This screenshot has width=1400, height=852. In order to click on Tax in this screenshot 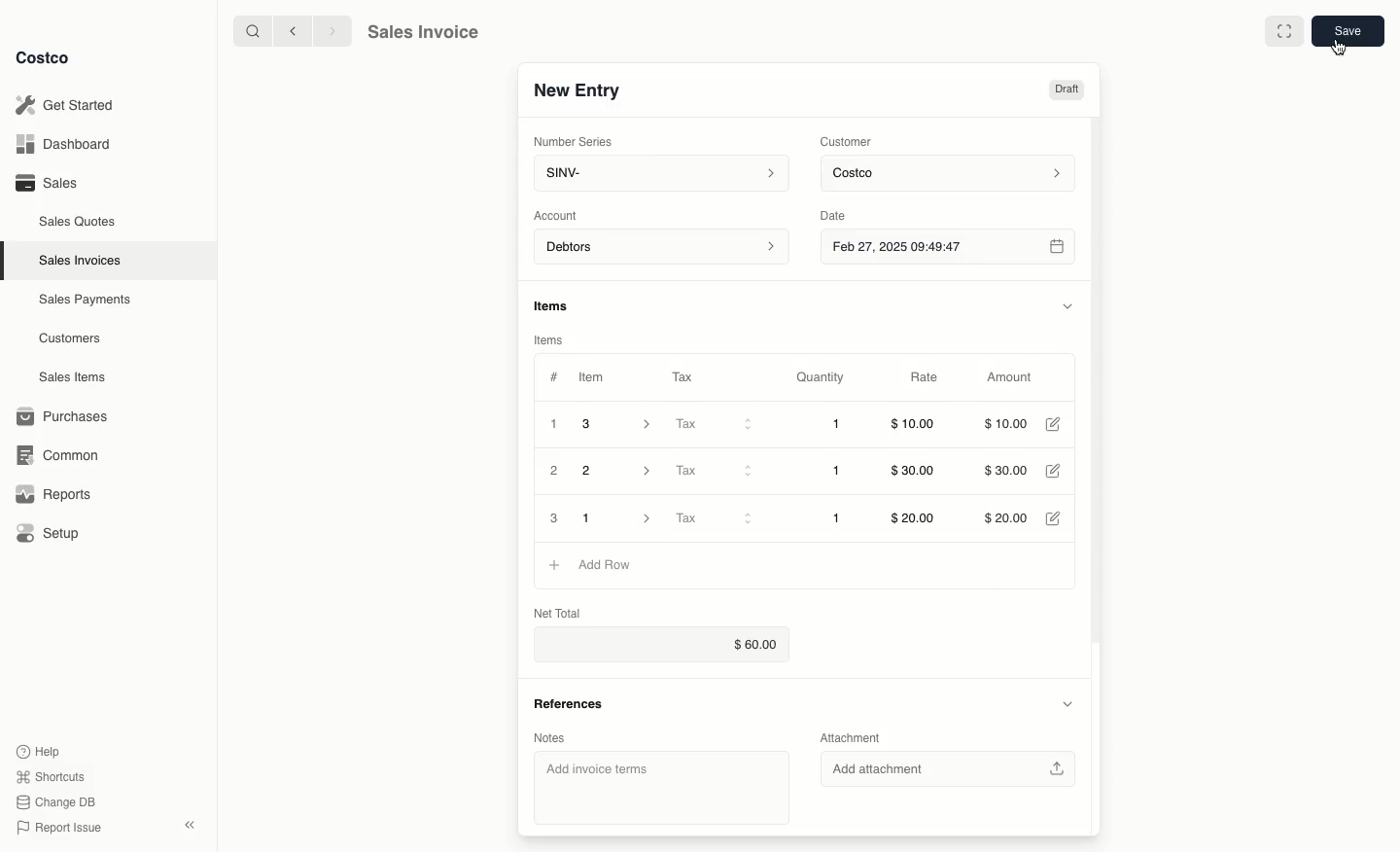, I will do `click(713, 425)`.